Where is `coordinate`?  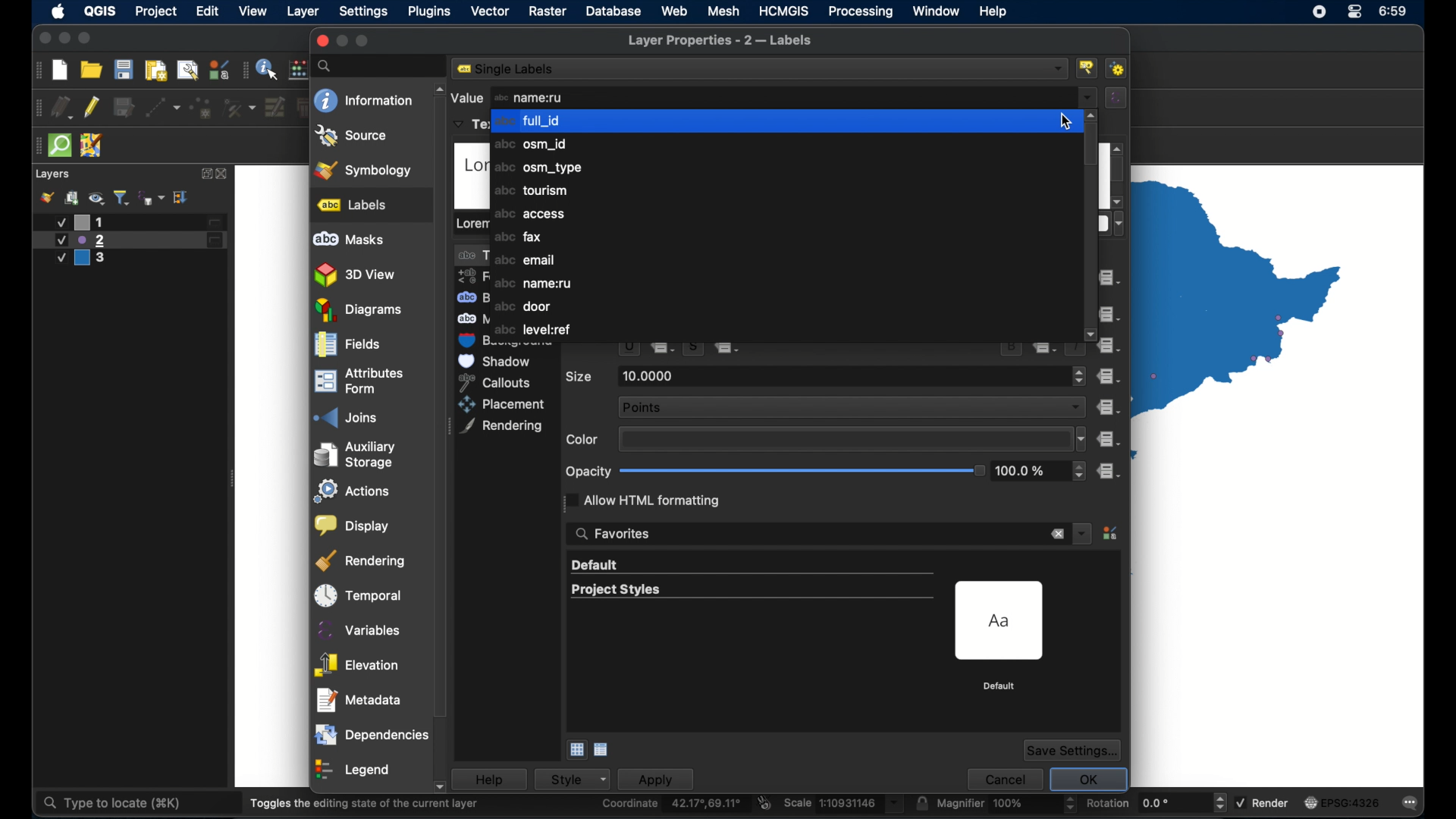 coordinate is located at coordinates (673, 804).